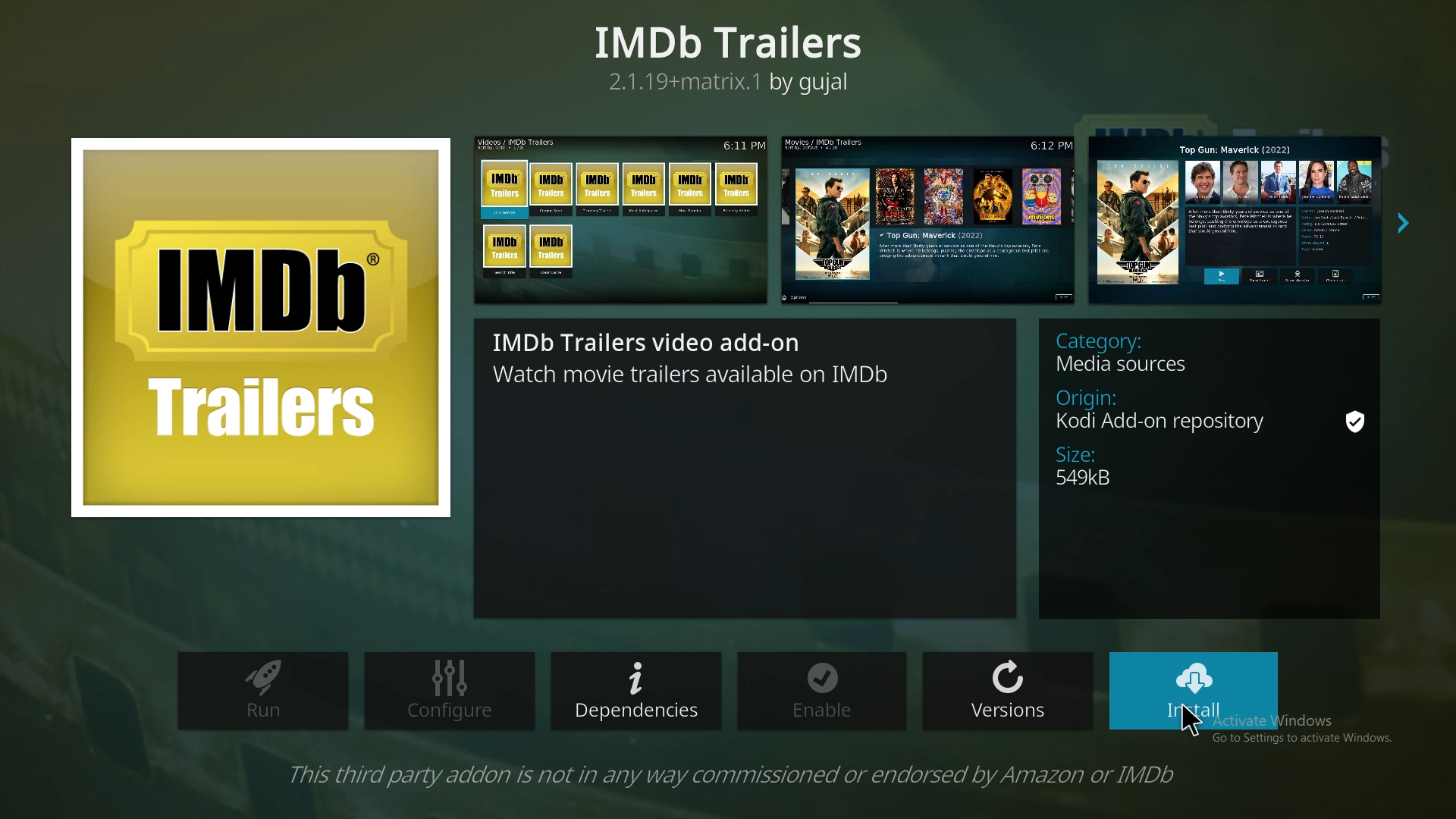 This screenshot has height=819, width=1456. I want to click on category, so click(1144, 353).